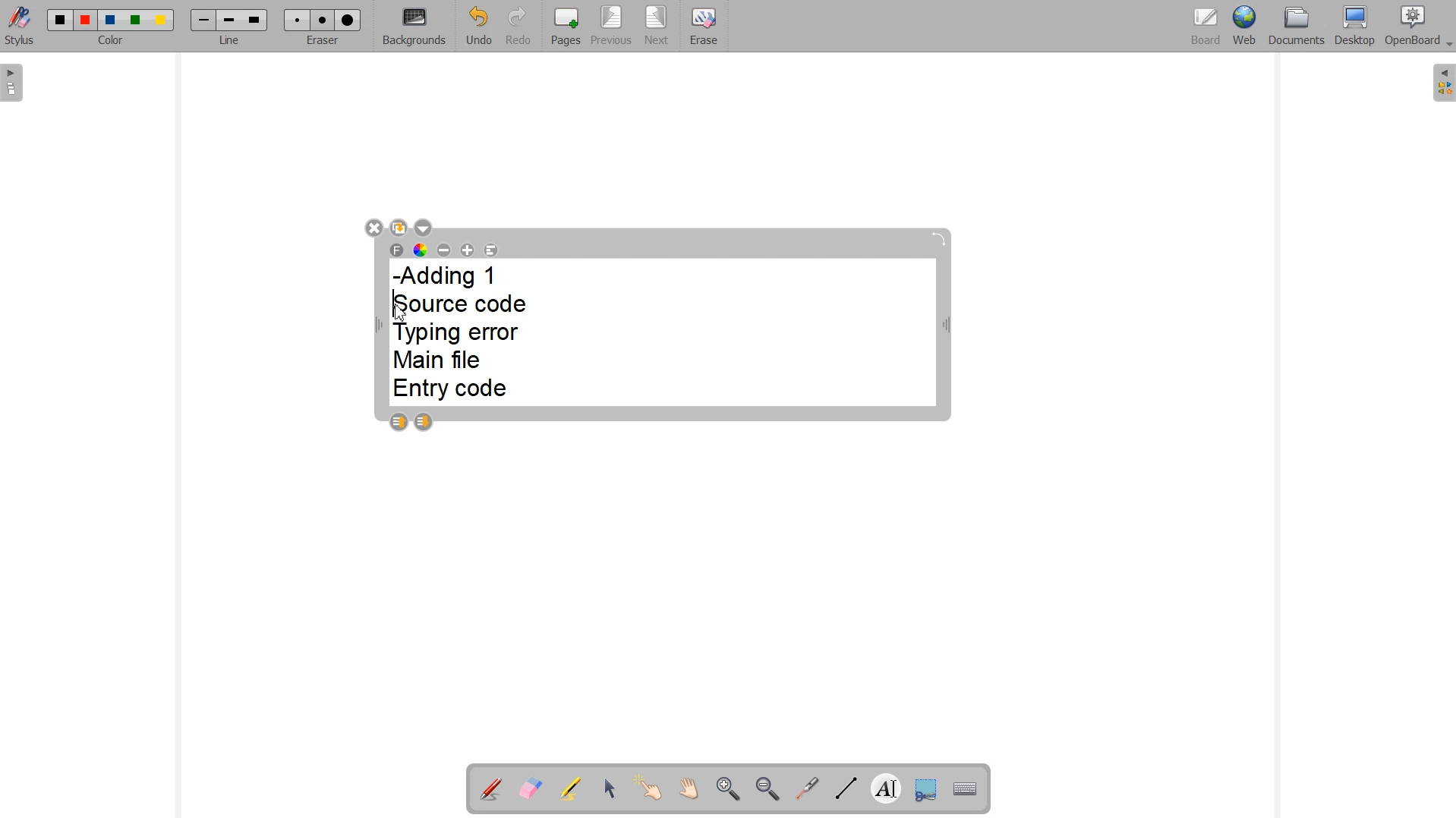  I want to click on Highlight, so click(572, 788).